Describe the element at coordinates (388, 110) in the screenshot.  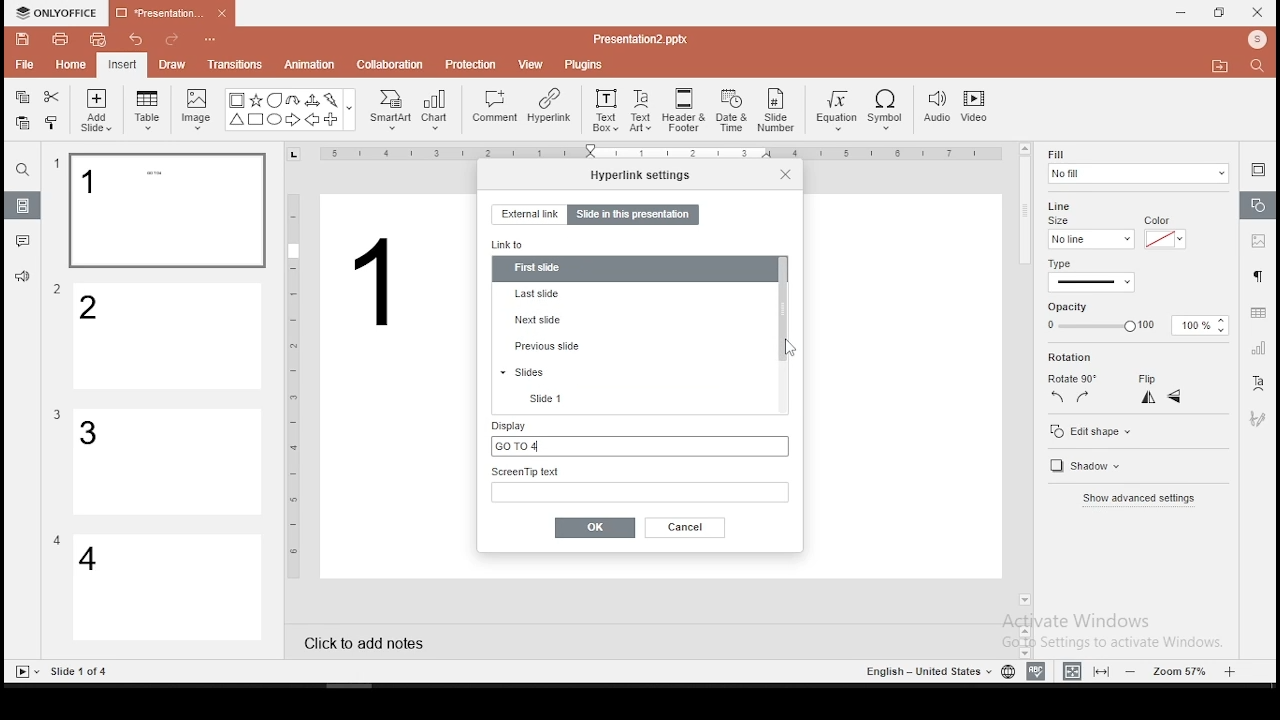
I see `smart` at that location.